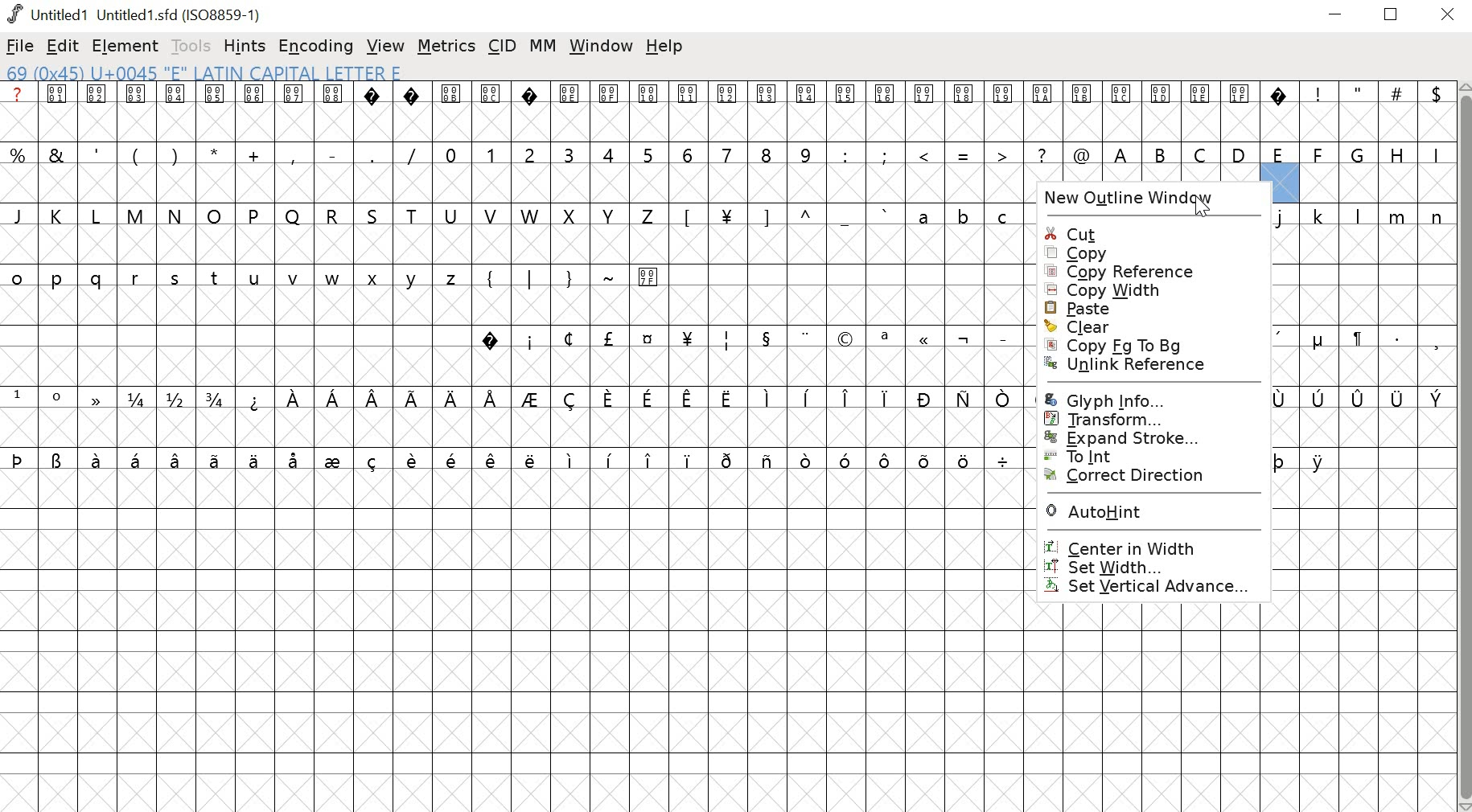 This screenshot has height=812, width=1472. What do you see at coordinates (1362, 280) in the screenshot?
I see `empty cells` at bounding box center [1362, 280].